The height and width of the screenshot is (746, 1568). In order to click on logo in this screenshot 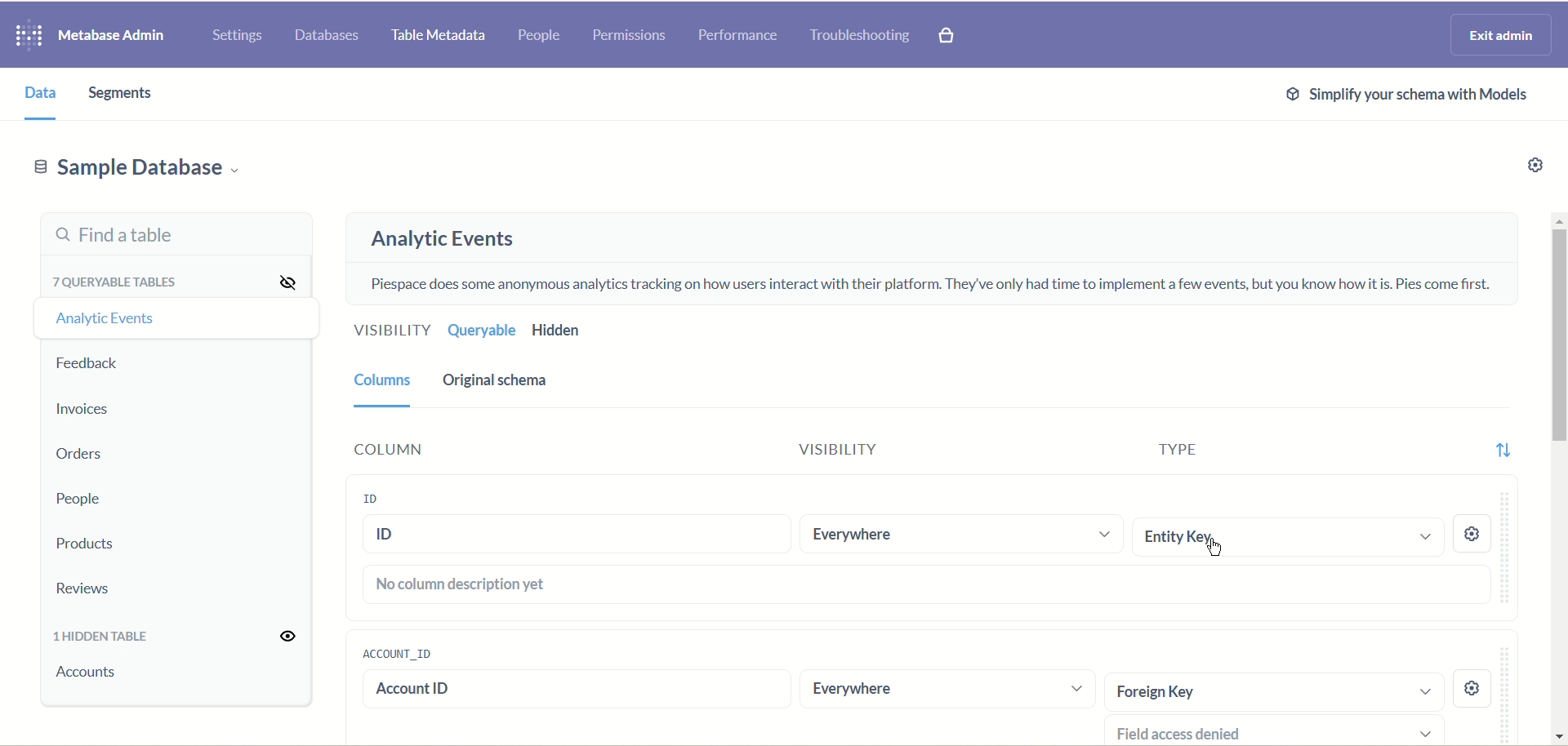, I will do `click(24, 37)`.